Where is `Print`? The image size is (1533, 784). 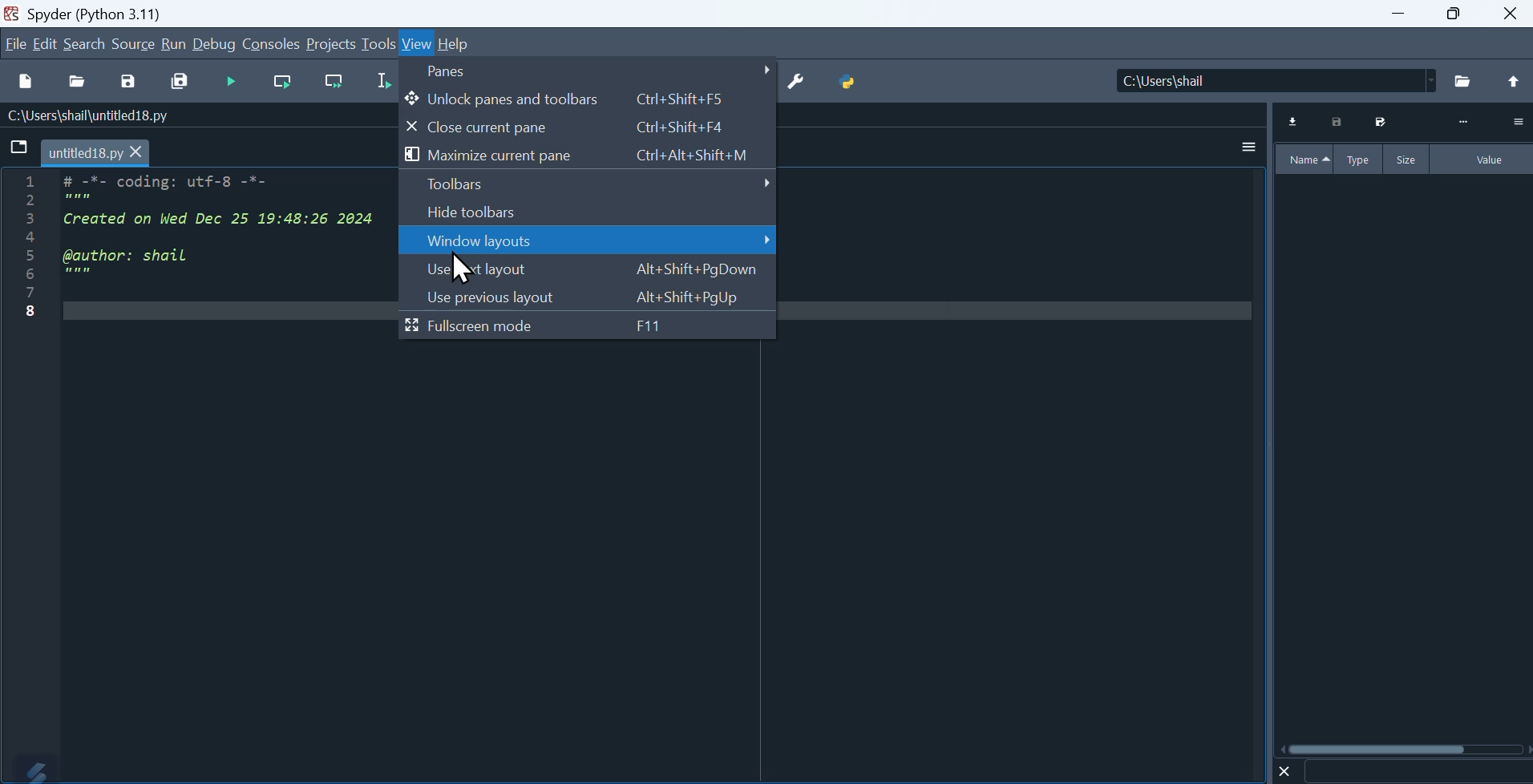 Print is located at coordinates (1338, 122).